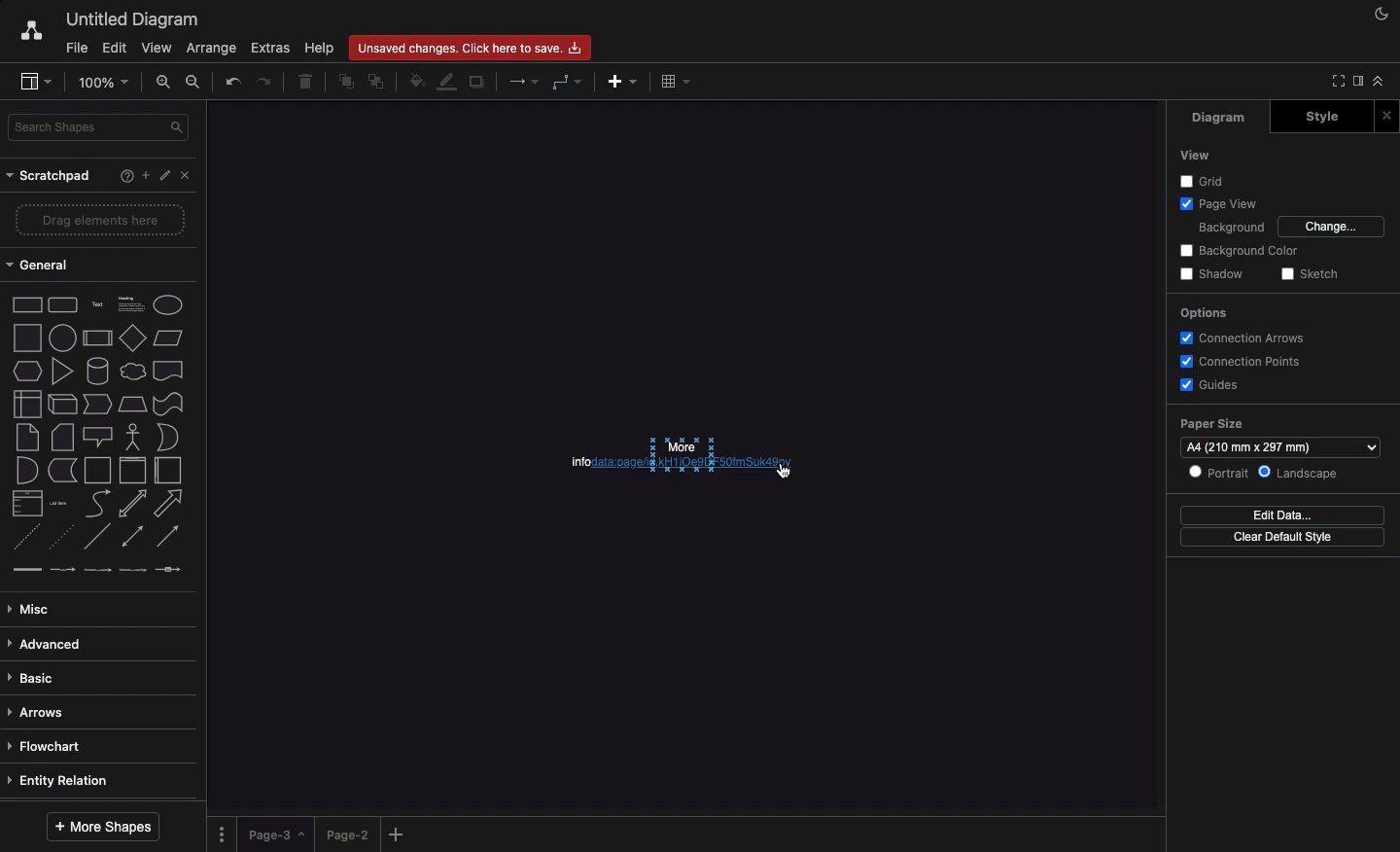 The width and height of the screenshot is (1400, 852). I want to click on connector with symbol, so click(171, 569).